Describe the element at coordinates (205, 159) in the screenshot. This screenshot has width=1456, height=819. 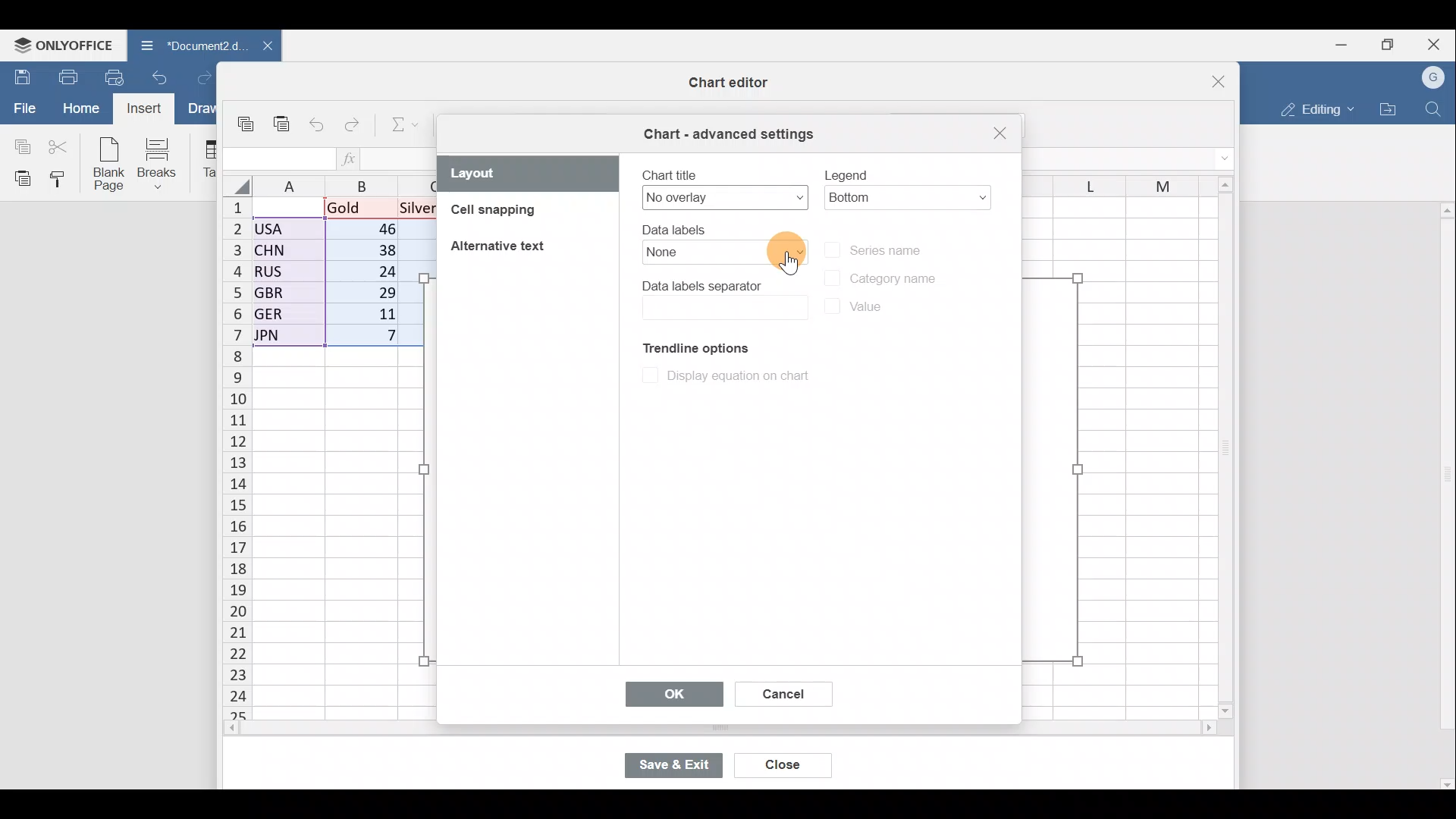
I see `Table` at that location.